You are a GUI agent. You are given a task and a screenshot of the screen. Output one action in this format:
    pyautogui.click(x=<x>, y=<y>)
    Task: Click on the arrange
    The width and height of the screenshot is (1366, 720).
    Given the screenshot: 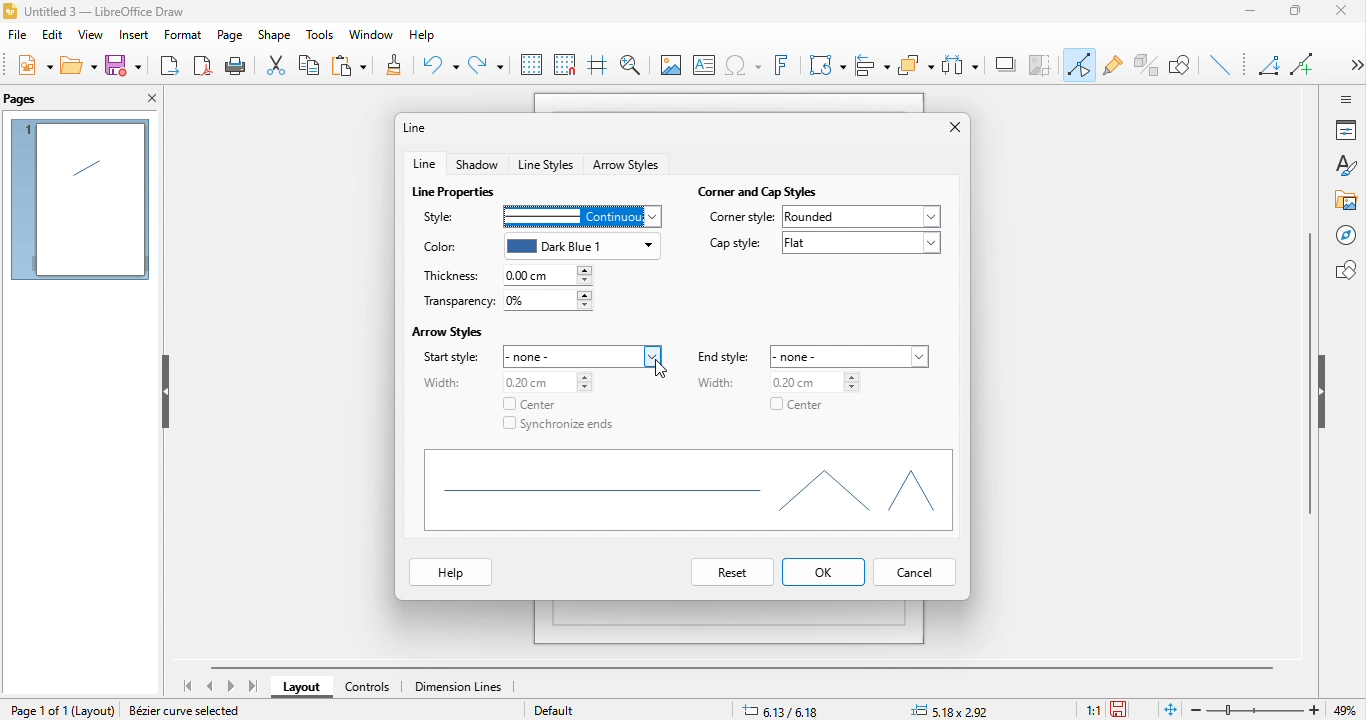 What is the action you would take?
    pyautogui.click(x=916, y=66)
    